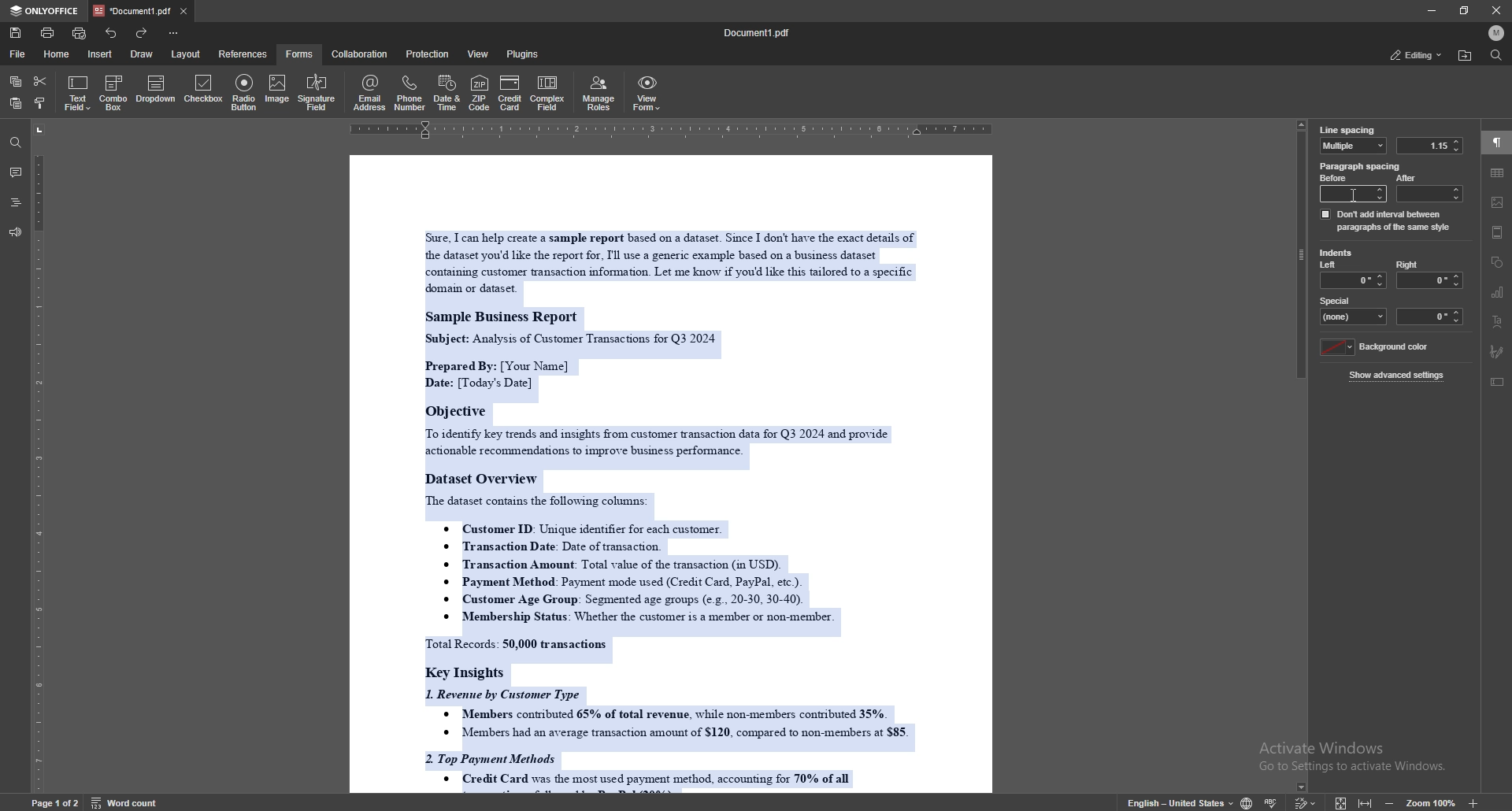  Describe the element at coordinates (1366, 799) in the screenshot. I see `fit to width` at that location.